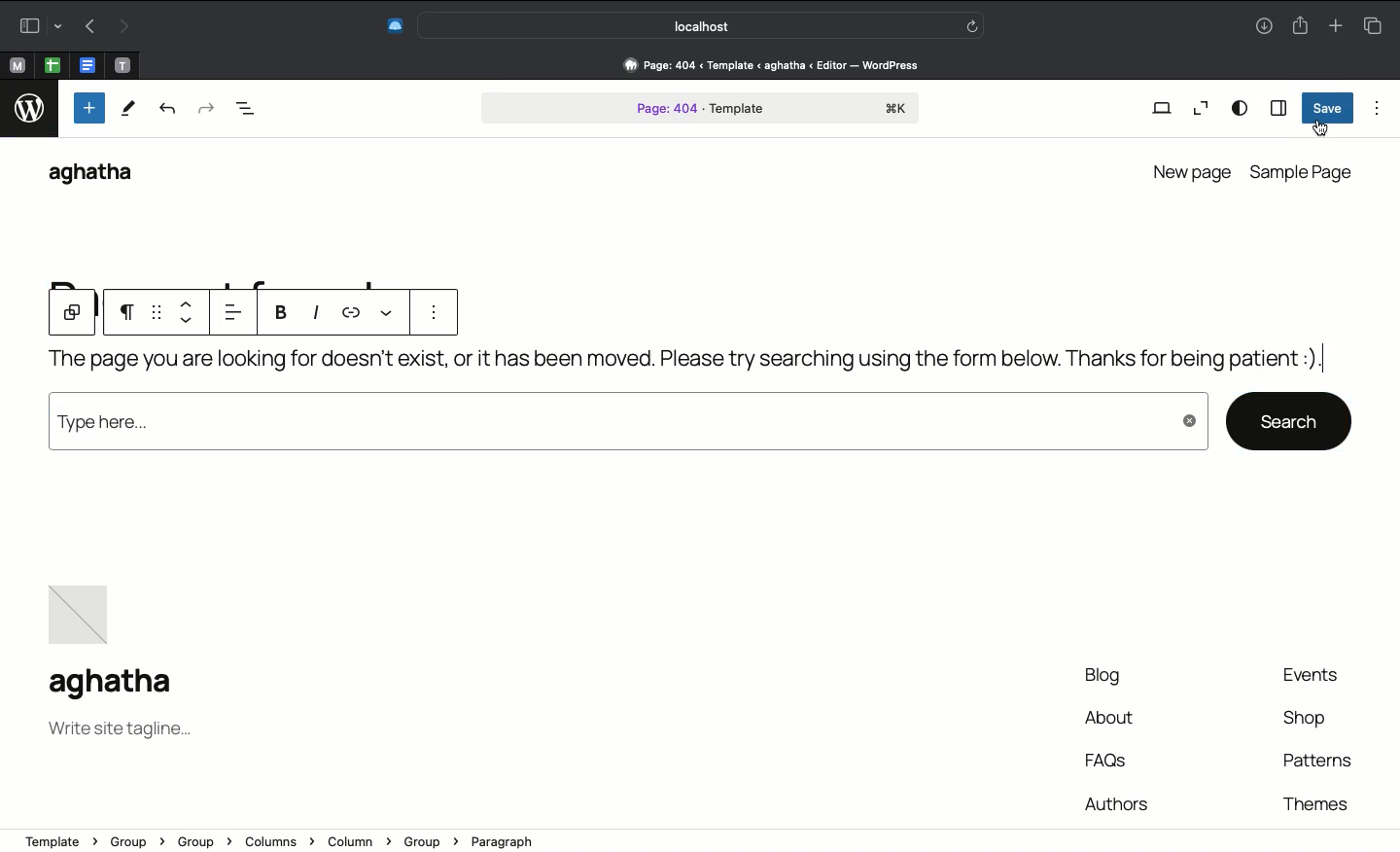 This screenshot has height=852, width=1400. I want to click on Tagline, so click(120, 732).